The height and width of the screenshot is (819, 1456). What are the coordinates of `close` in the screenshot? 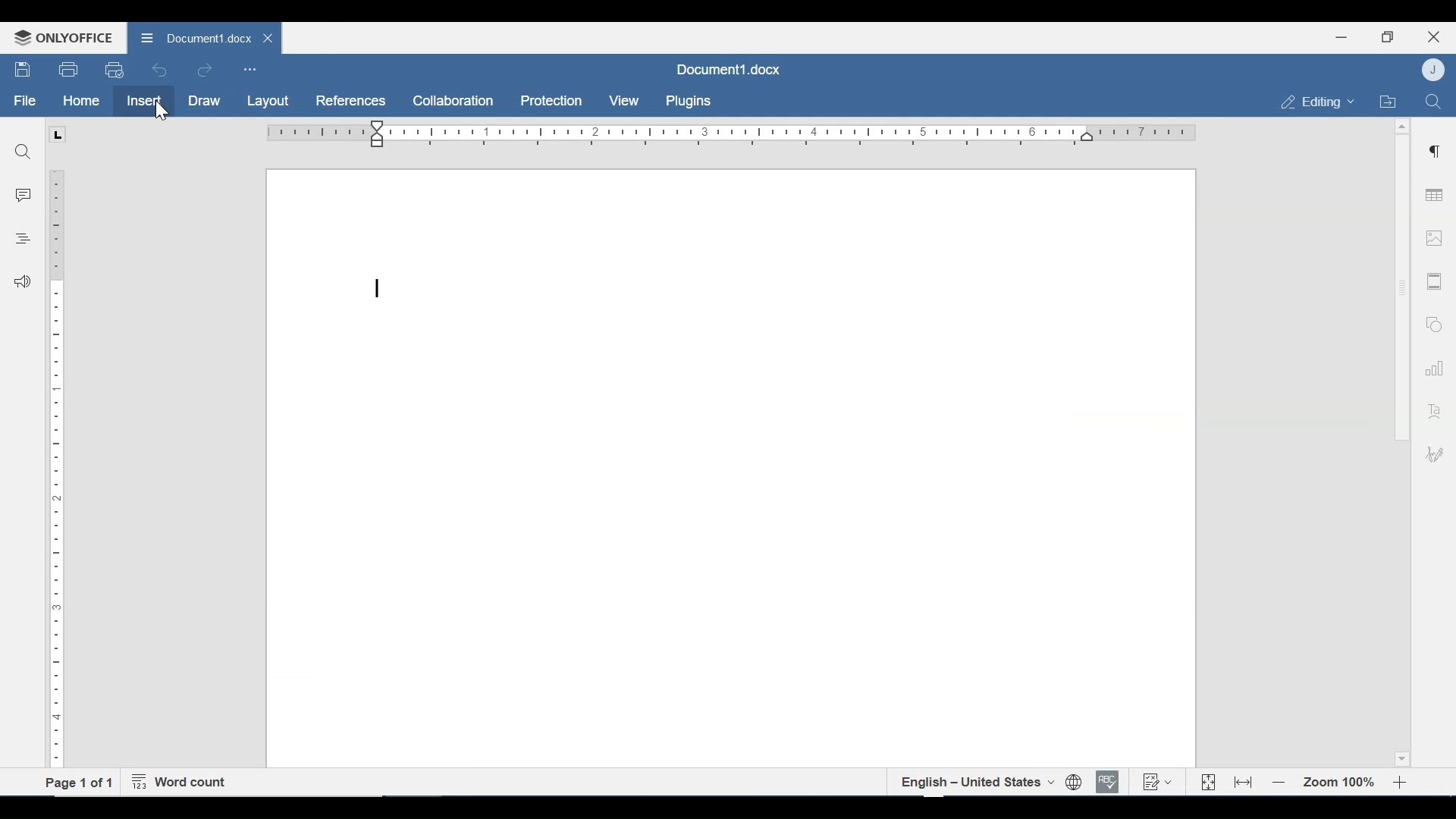 It's located at (270, 37).